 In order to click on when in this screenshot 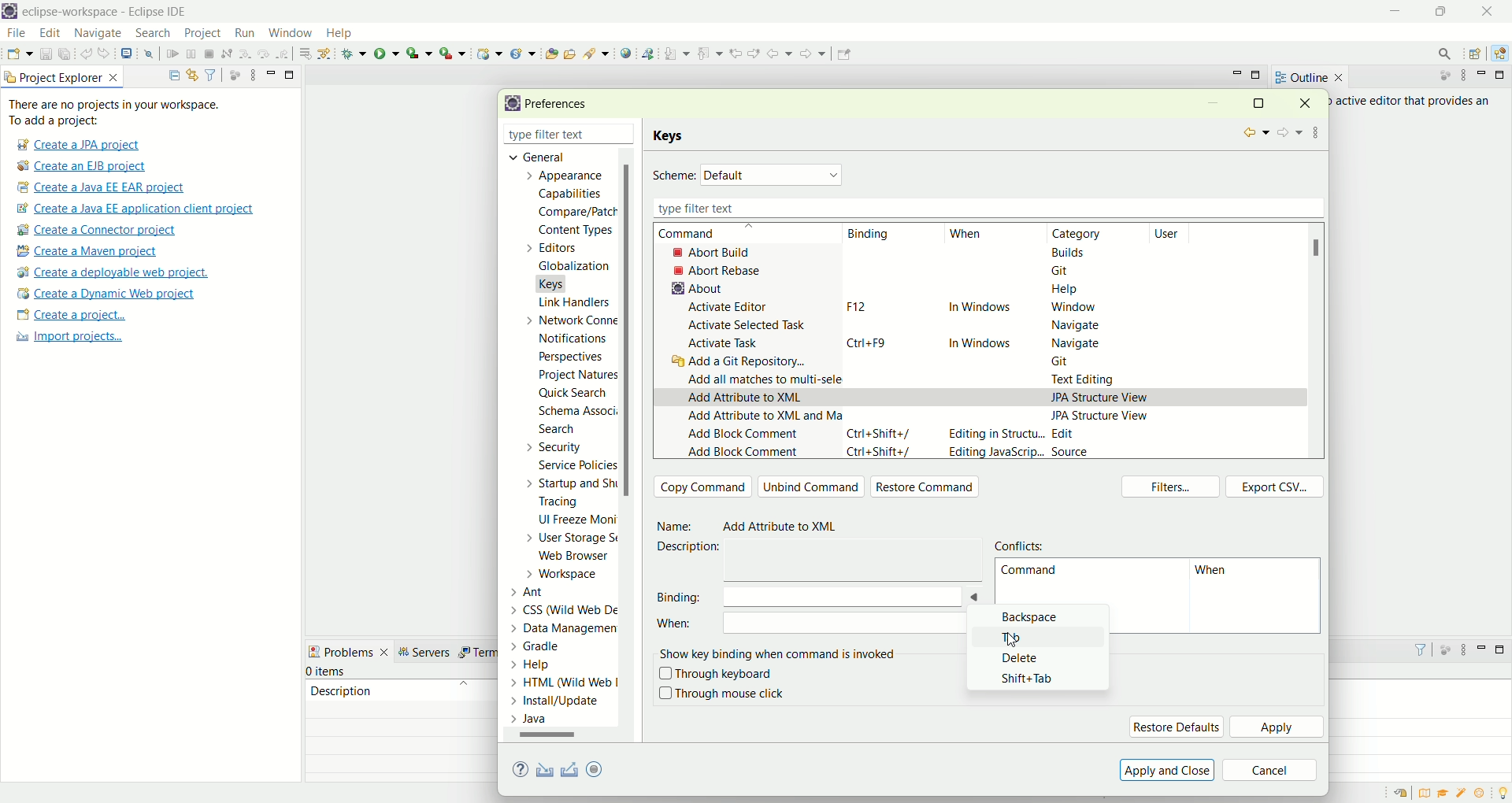, I will do `click(825, 627)`.